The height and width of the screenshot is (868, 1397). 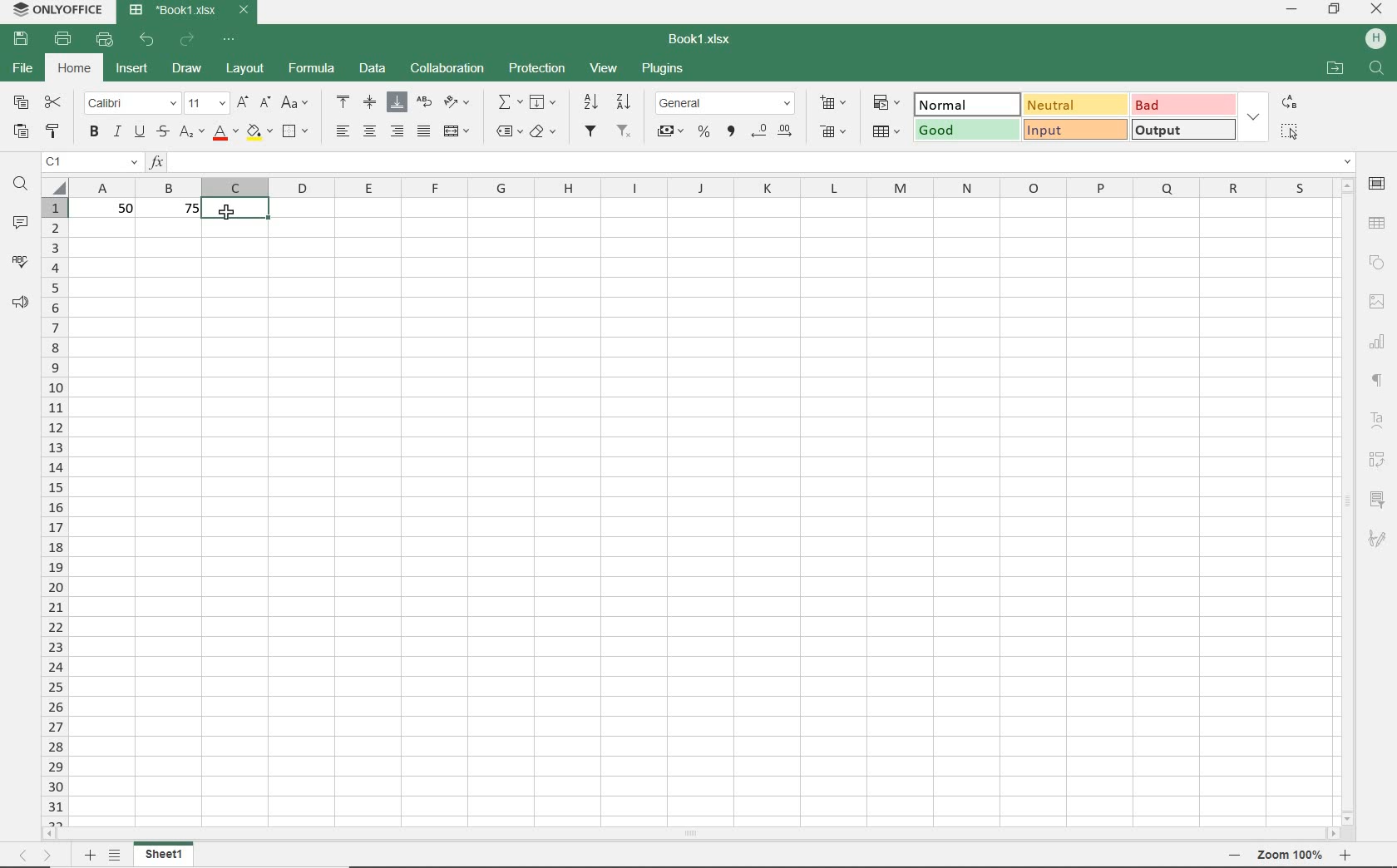 What do you see at coordinates (1293, 11) in the screenshot?
I see `minimize` at bounding box center [1293, 11].